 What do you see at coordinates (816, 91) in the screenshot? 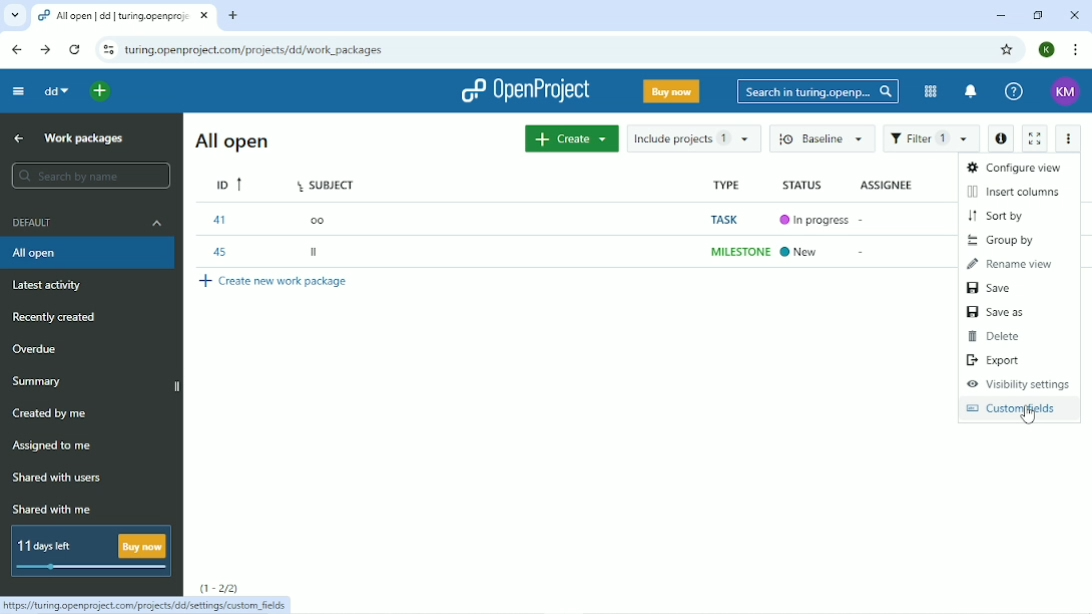
I see `Search in turing.openproject.com` at bounding box center [816, 91].